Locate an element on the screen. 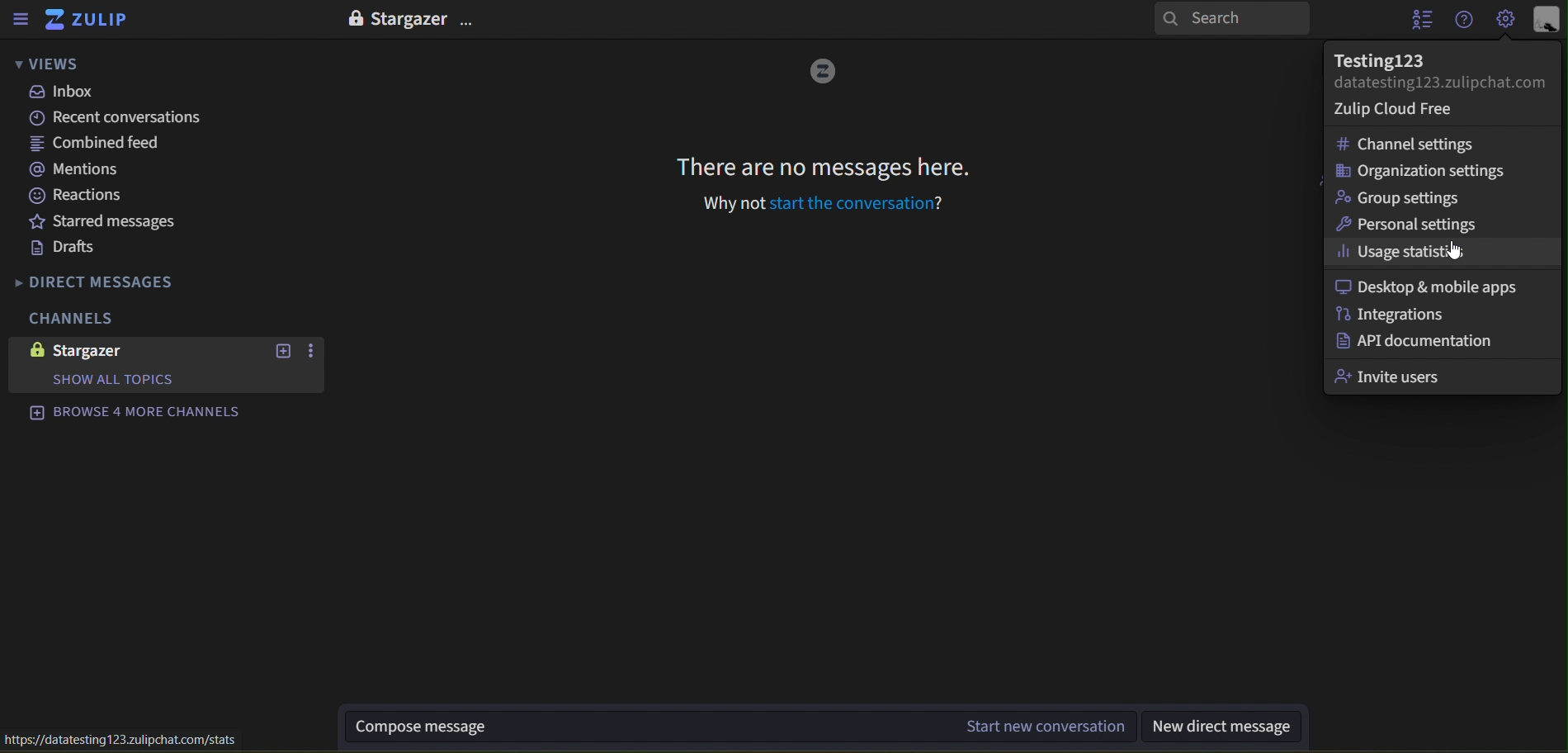  direct messages is located at coordinates (125, 281).